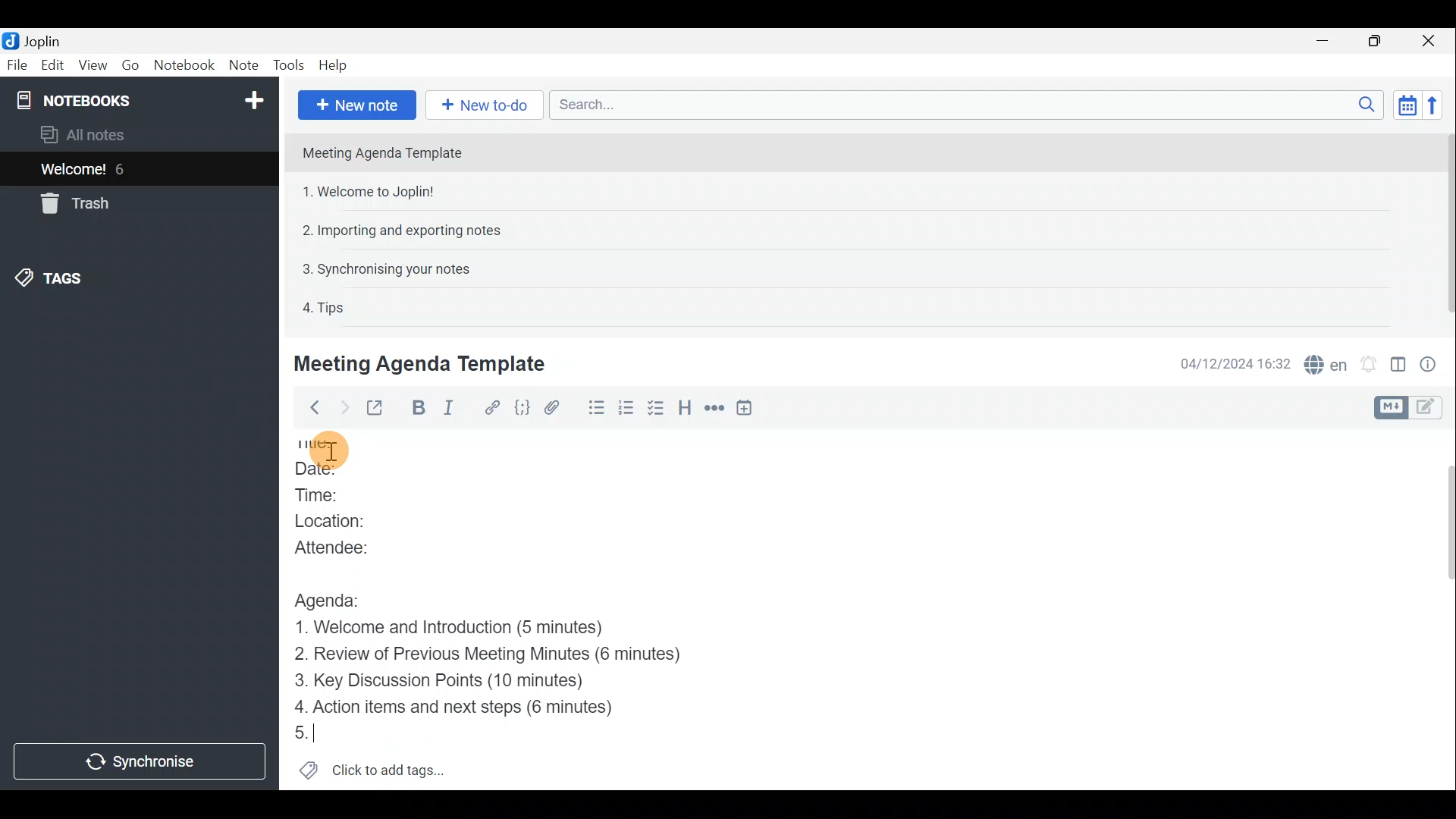 Image resolution: width=1456 pixels, height=819 pixels. Describe the element at coordinates (128, 64) in the screenshot. I see `Go` at that location.